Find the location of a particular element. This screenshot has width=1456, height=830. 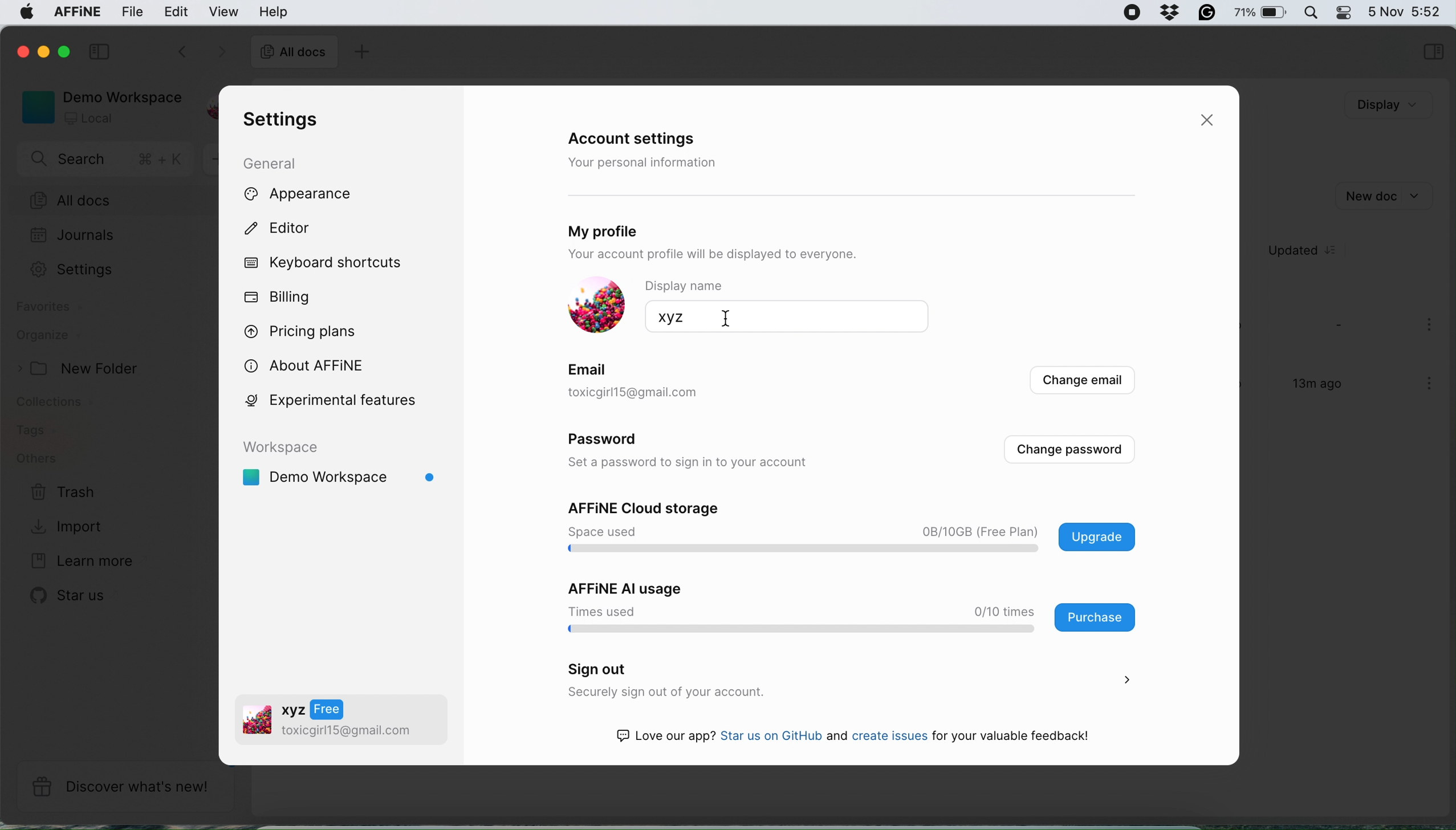

settings is located at coordinates (79, 270).